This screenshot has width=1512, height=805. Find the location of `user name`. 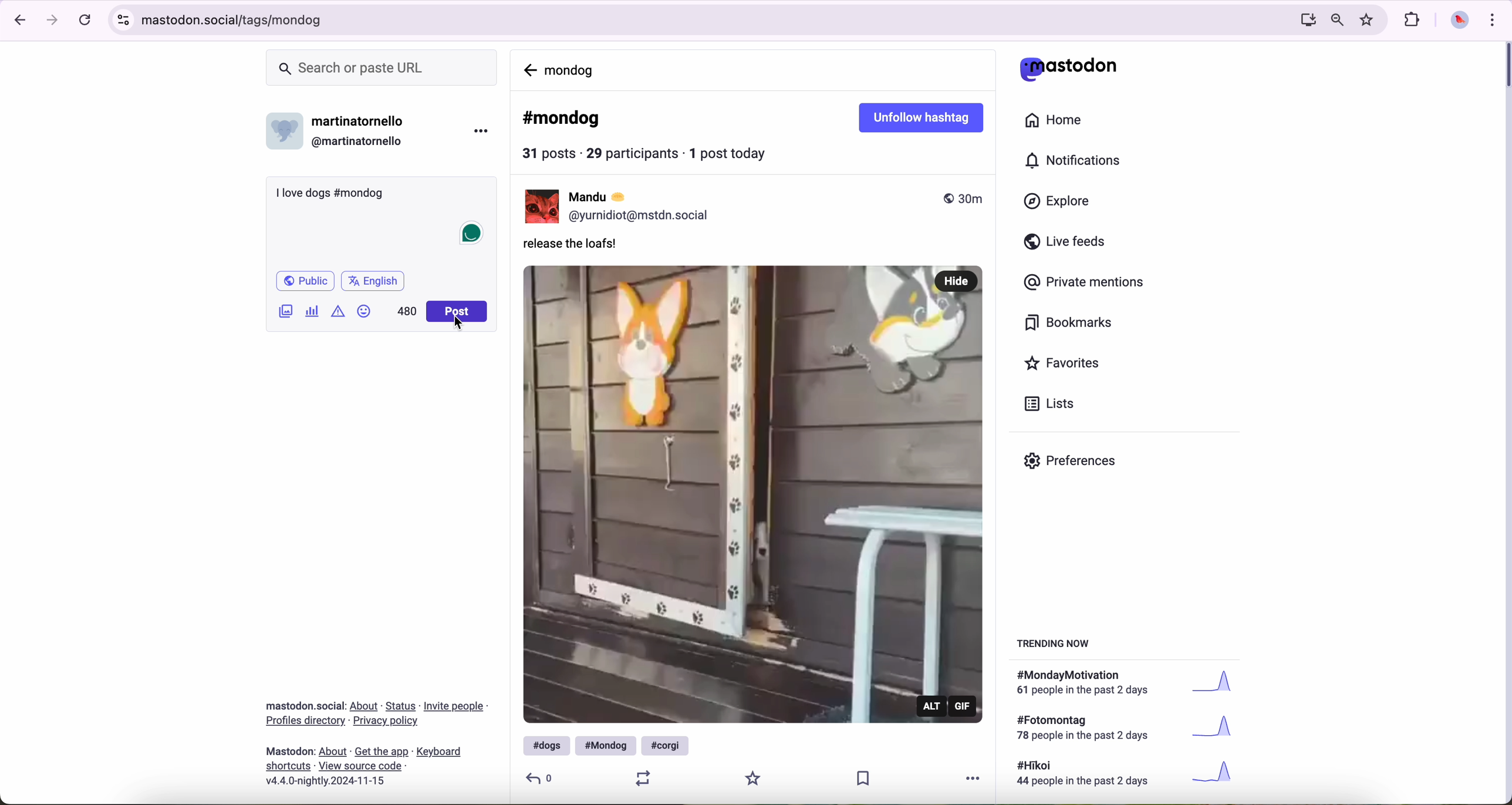

user name is located at coordinates (607, 197).